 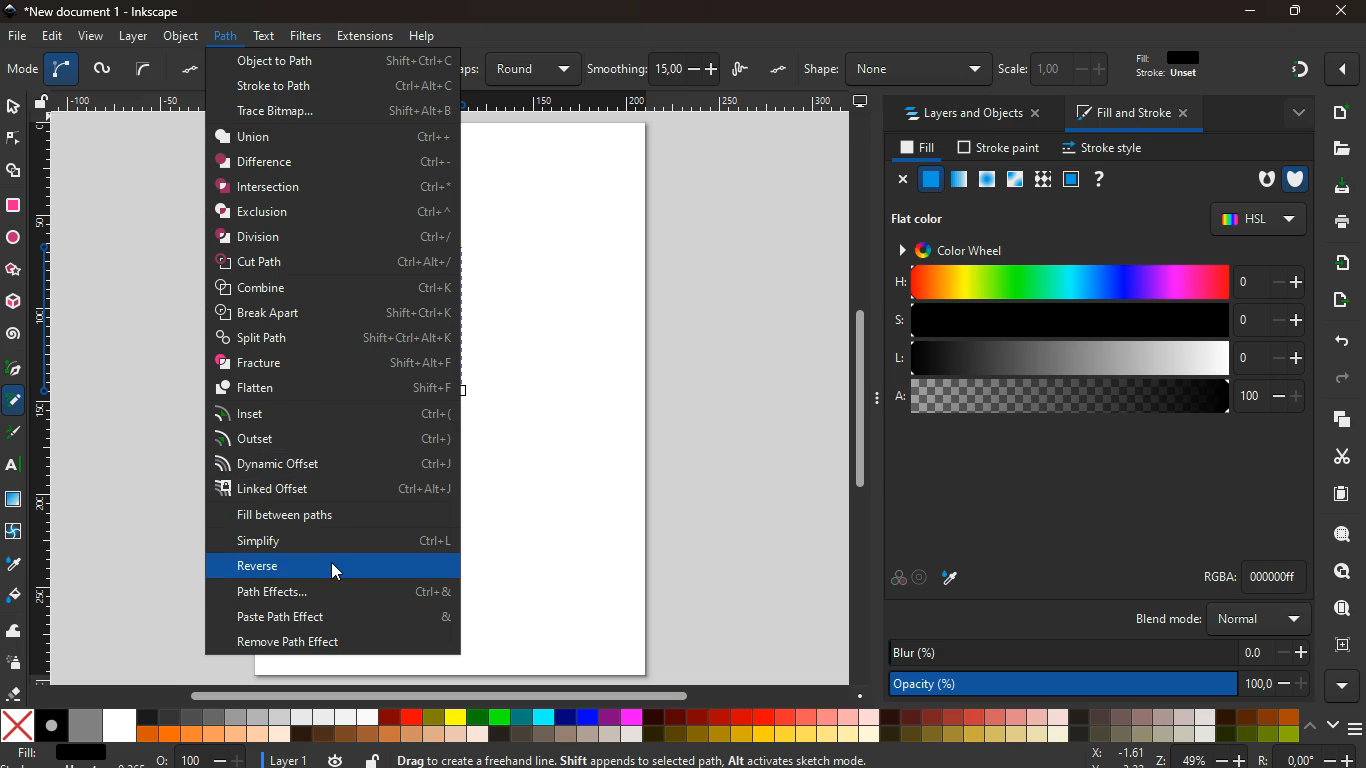 What do you see at coordinates (919, 149) in the screenshot?
I see `fill` at bounding box center [919, 149].